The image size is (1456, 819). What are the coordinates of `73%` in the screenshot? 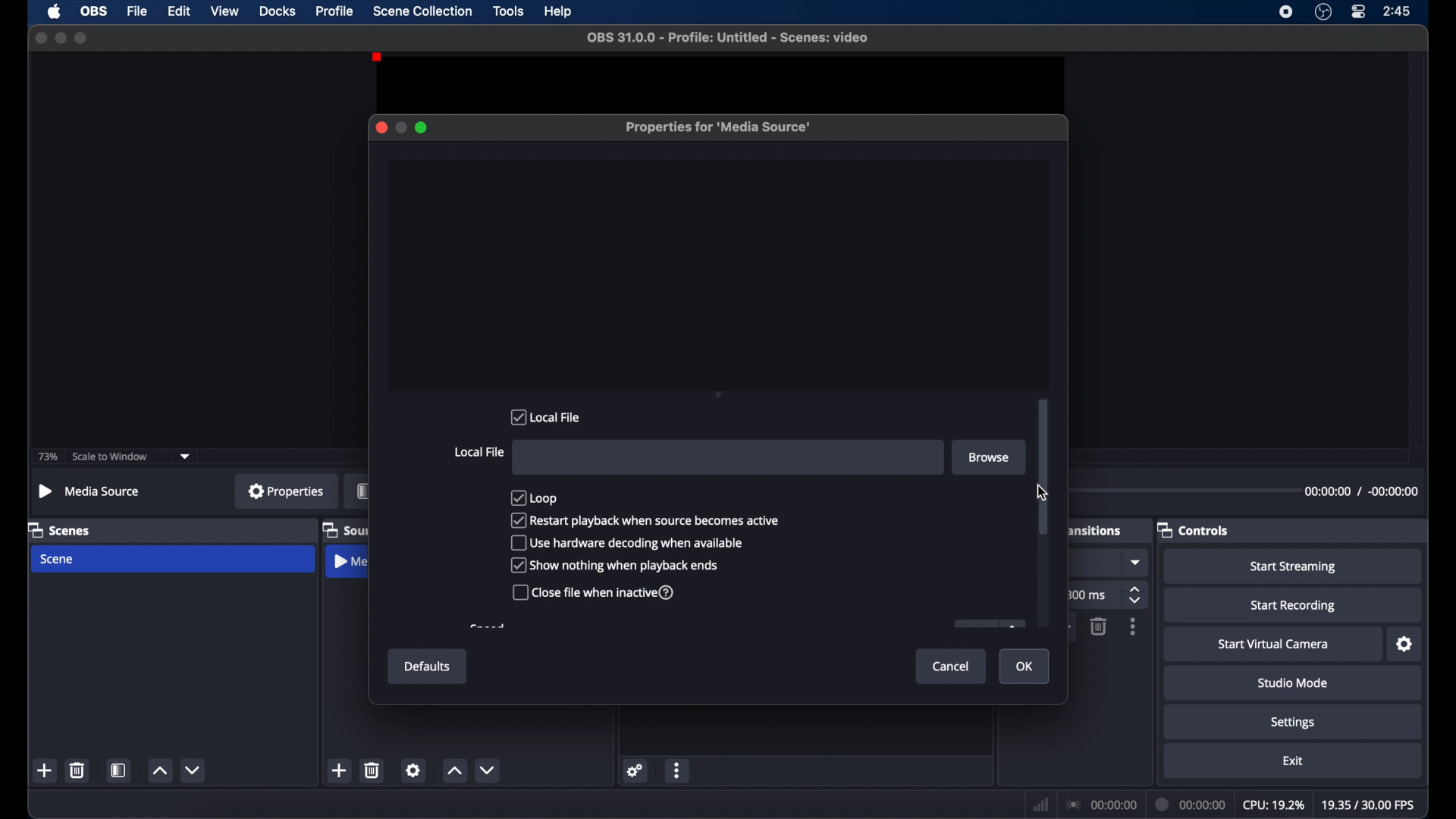 It's located at (46, 457).